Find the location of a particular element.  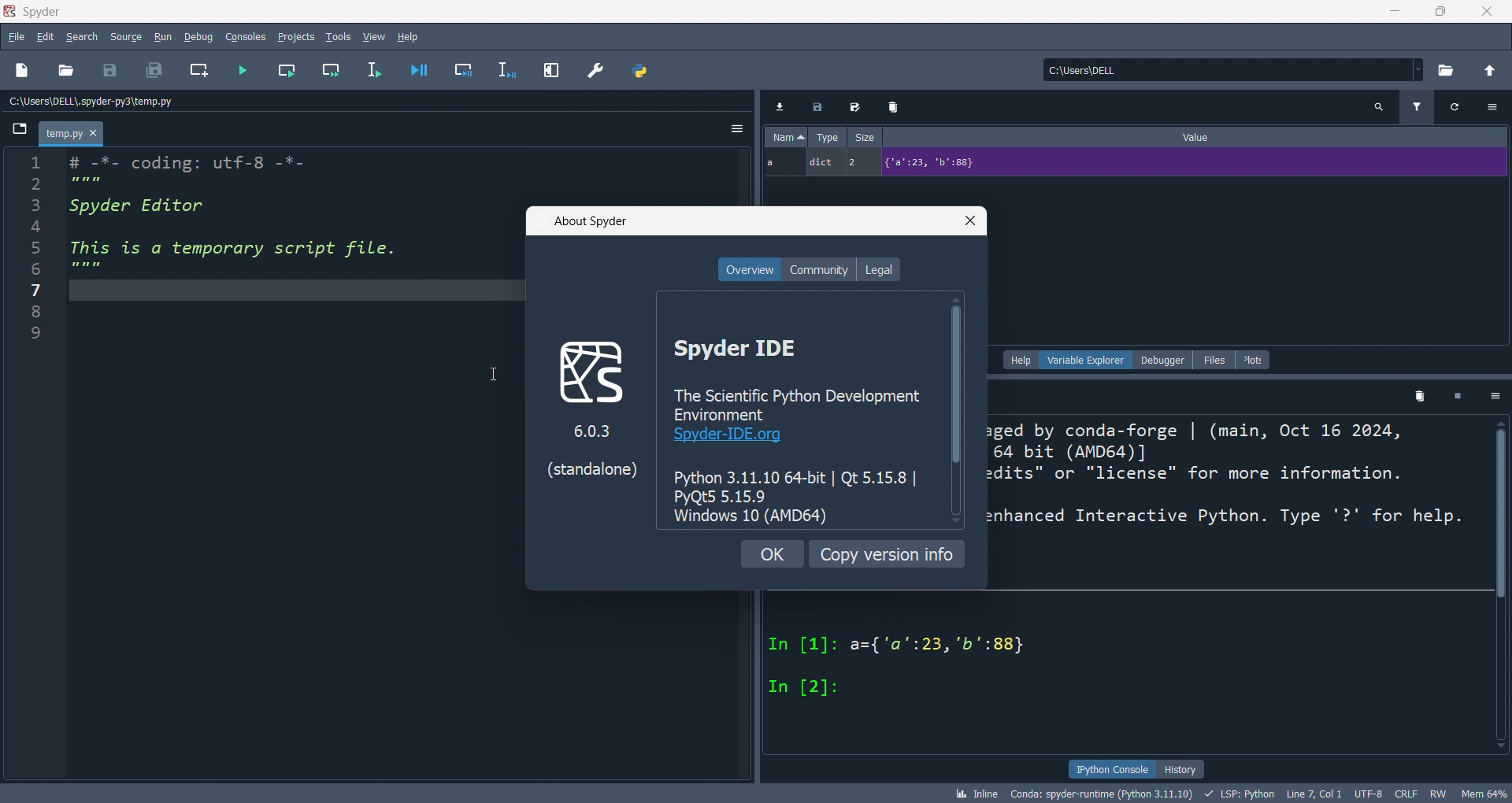

open file is located at coordinates (65, 72).